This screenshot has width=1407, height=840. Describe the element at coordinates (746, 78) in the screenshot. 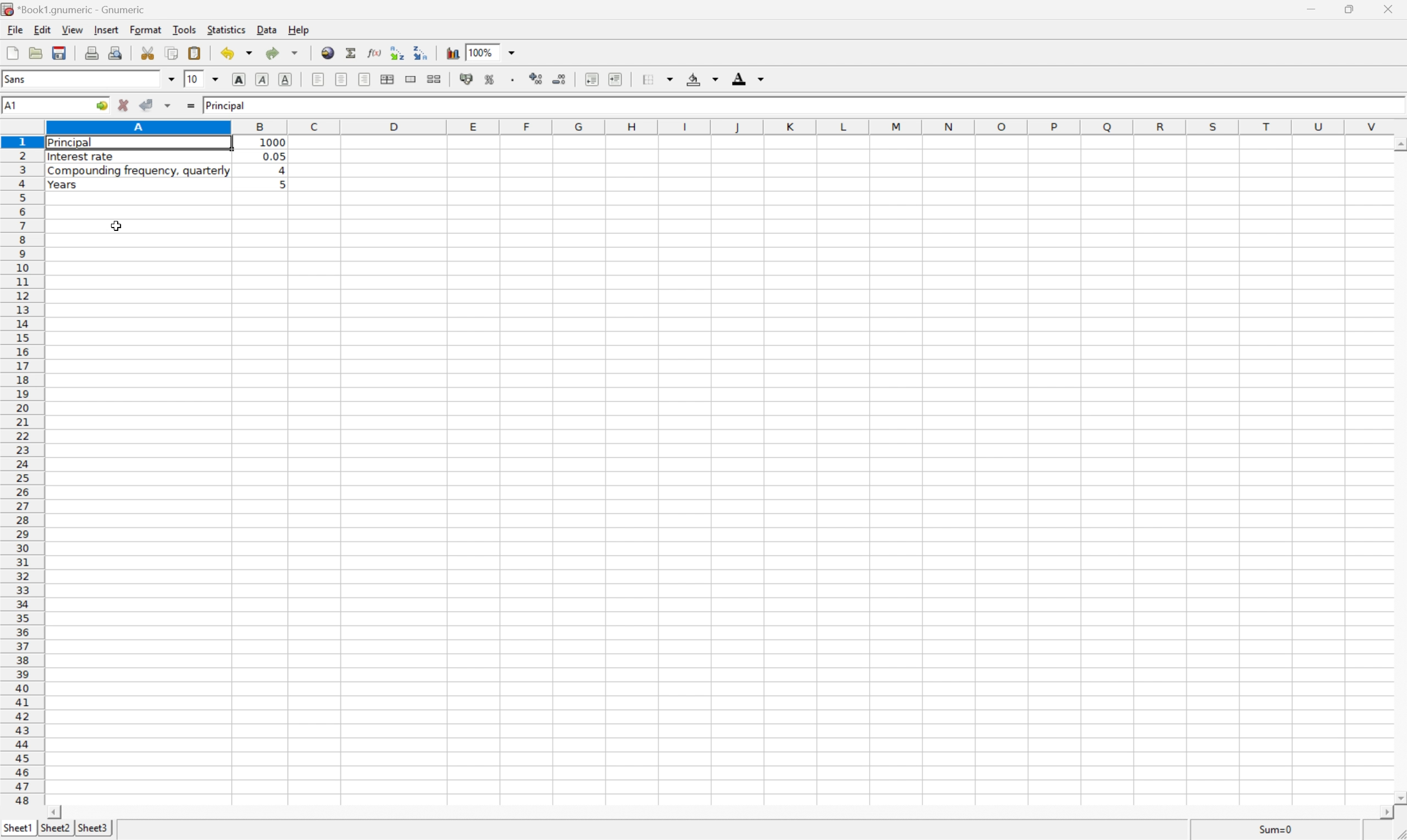

I see `foreground` at that location.